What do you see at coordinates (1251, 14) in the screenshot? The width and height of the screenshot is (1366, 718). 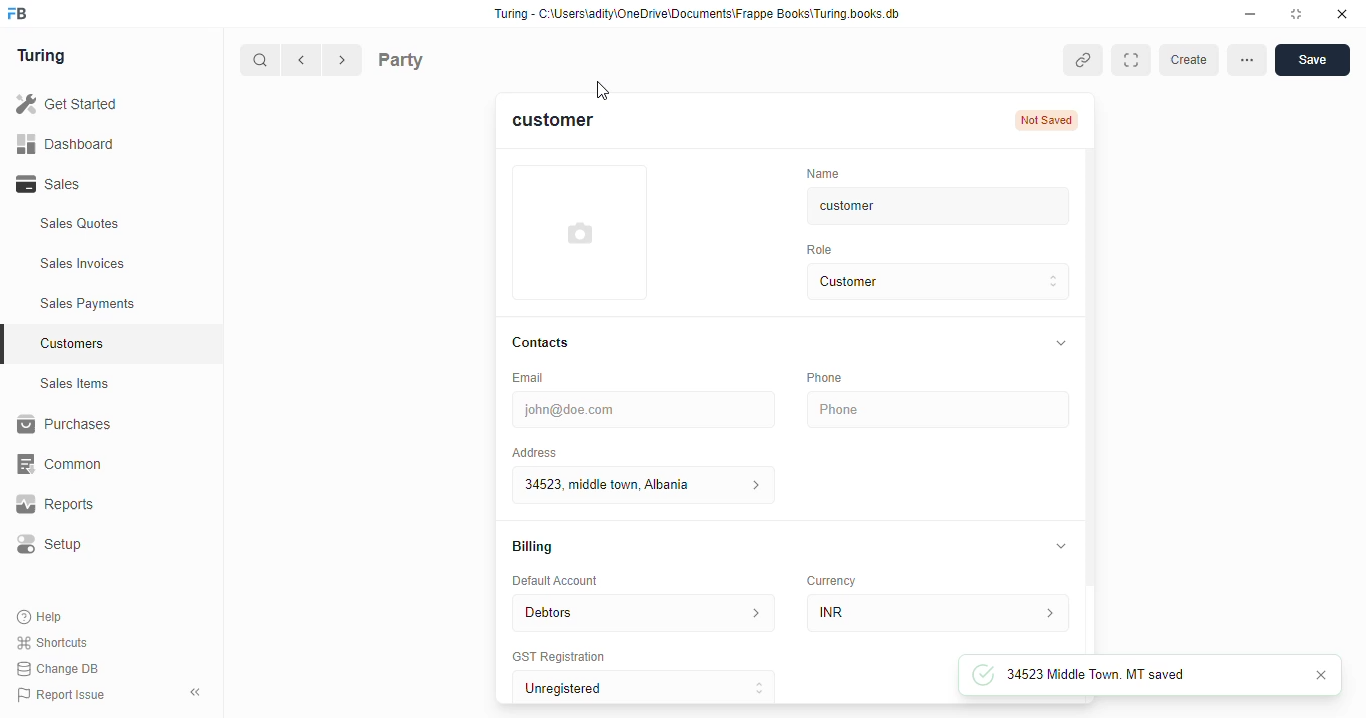 I see `minimise` at bounding box center [1251, 14].